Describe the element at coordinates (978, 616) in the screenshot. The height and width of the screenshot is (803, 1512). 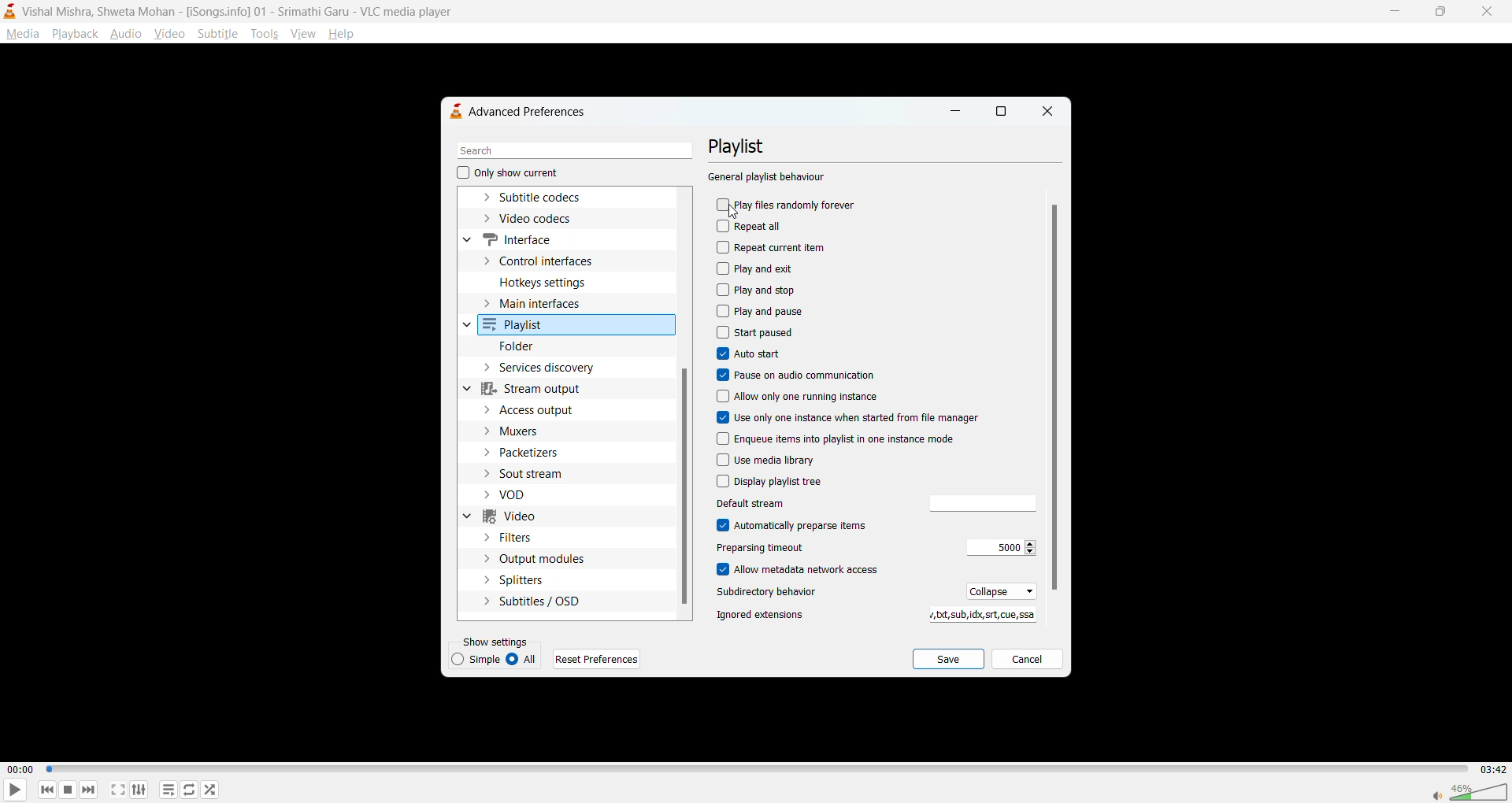
I see `ignored extensions` at that location.